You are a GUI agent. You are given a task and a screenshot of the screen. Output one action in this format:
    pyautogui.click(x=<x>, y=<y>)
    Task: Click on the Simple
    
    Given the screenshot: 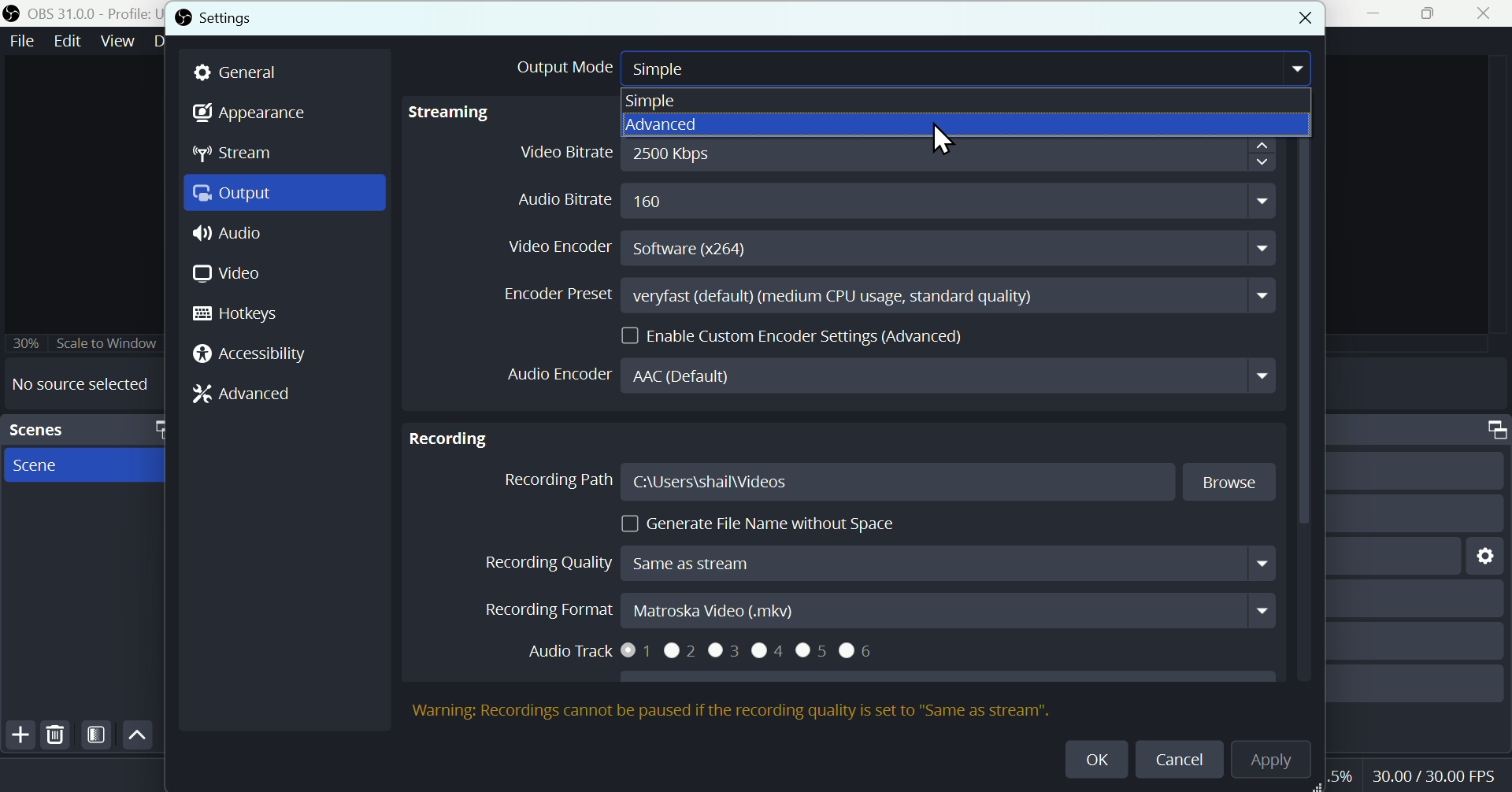 What is the action you would take?
    pyautogui.click(x=684, y=100)
    